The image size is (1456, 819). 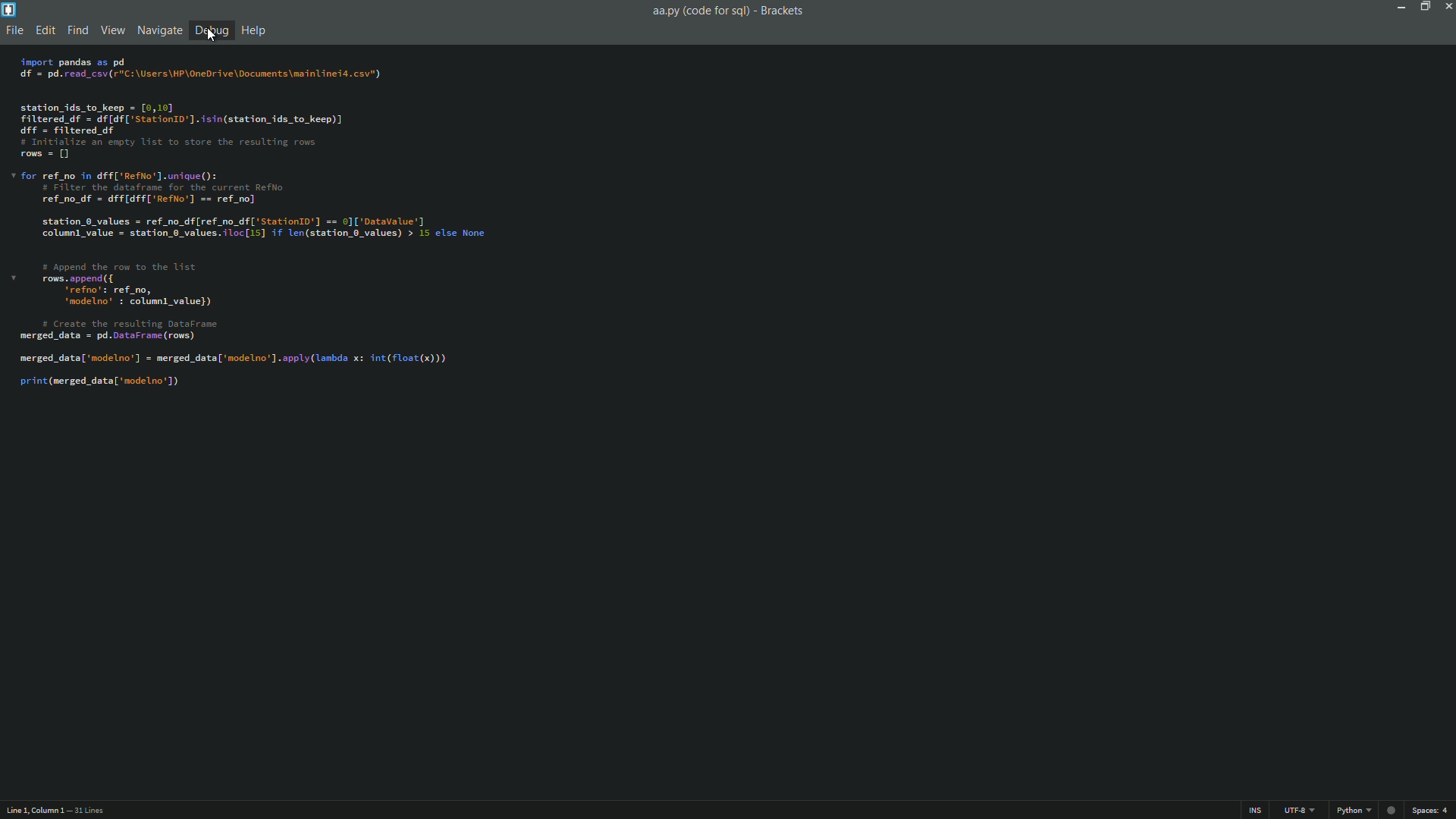 What do you see at coordinates (79, 30) in the screenshot?
I see `find menu` at bounding box center [79, 30].